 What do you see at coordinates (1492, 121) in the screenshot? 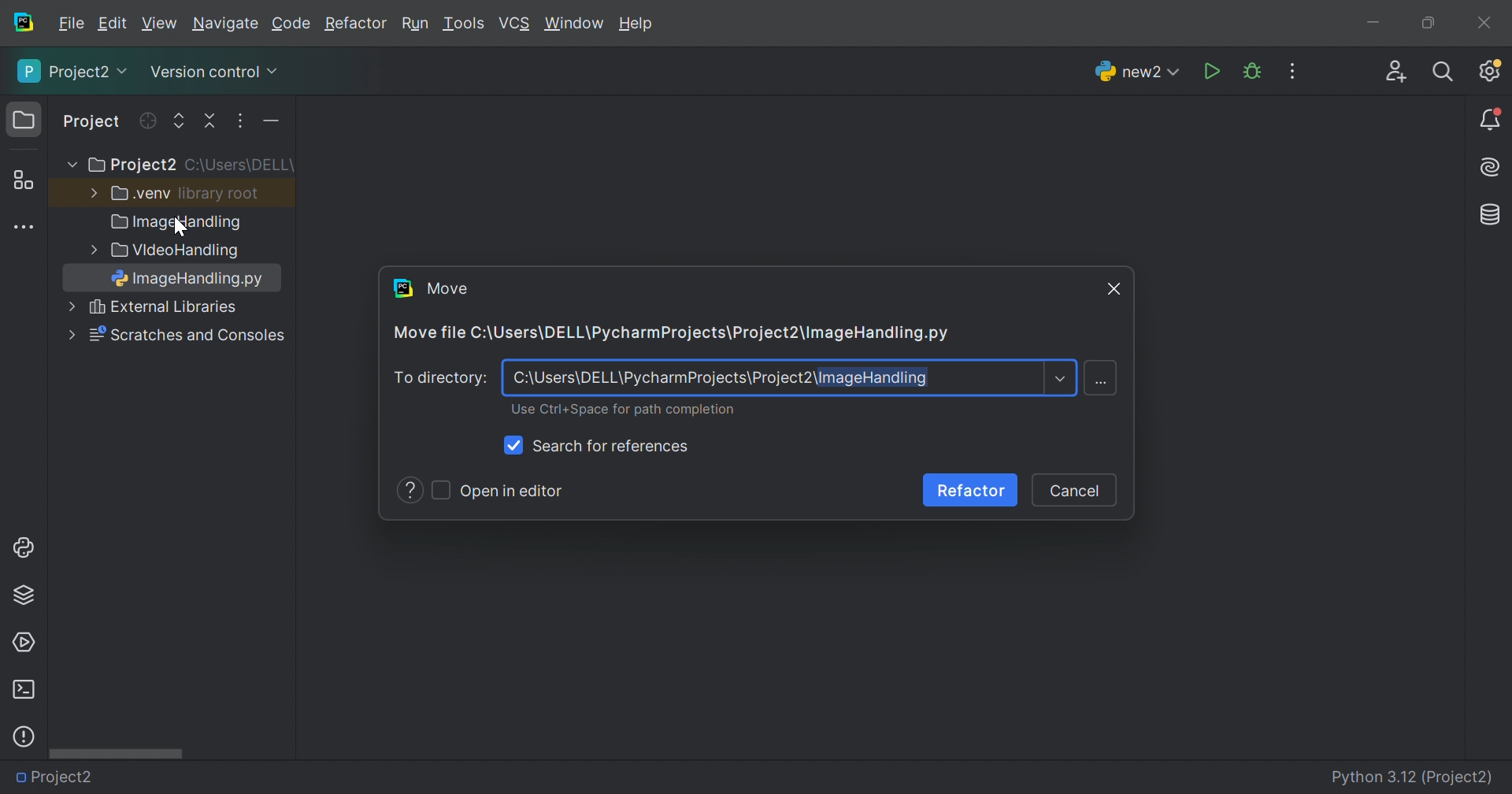
I see `Notifications` at bounding box center [1492, 121].